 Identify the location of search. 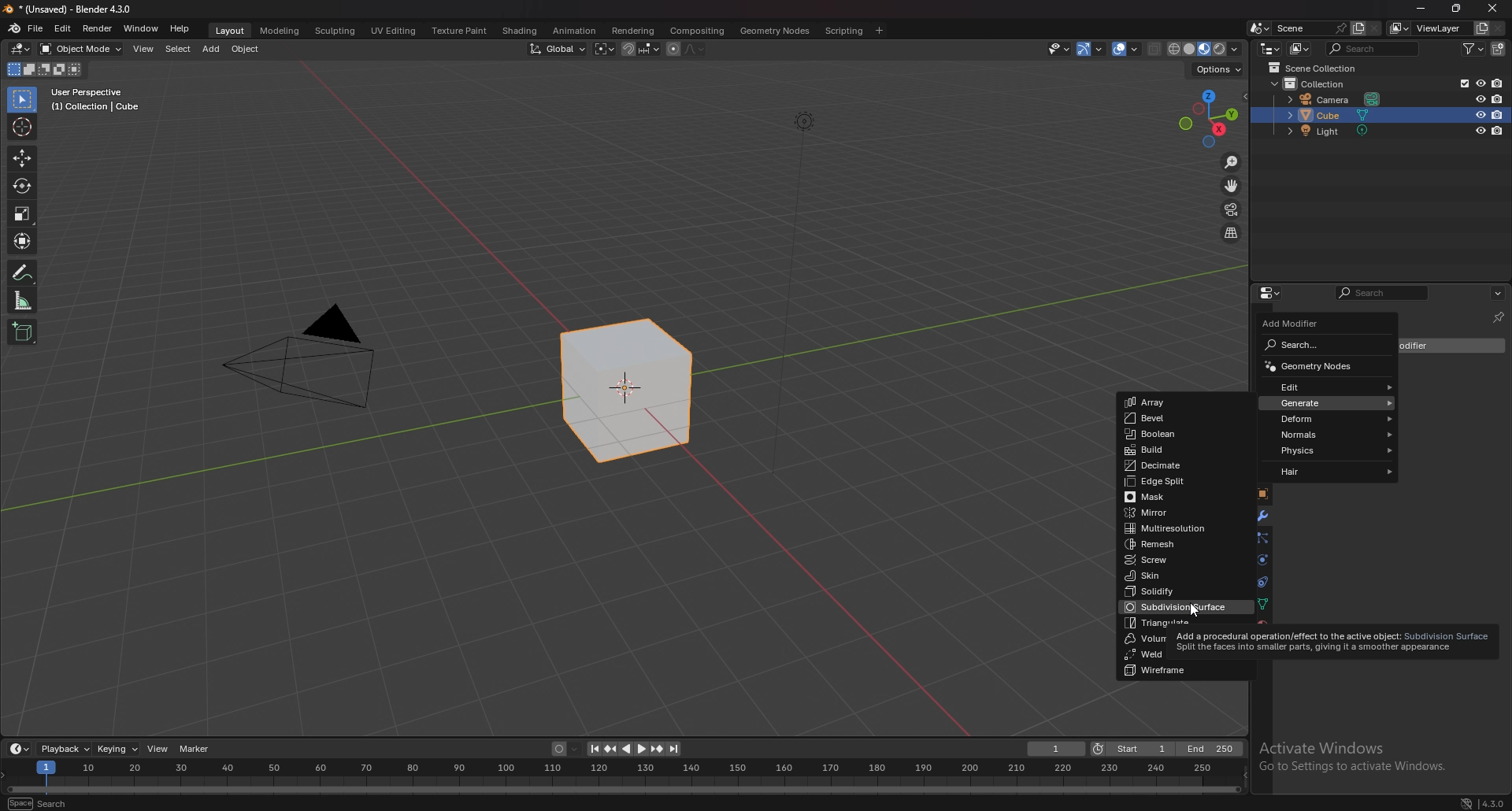
(1381, 293).